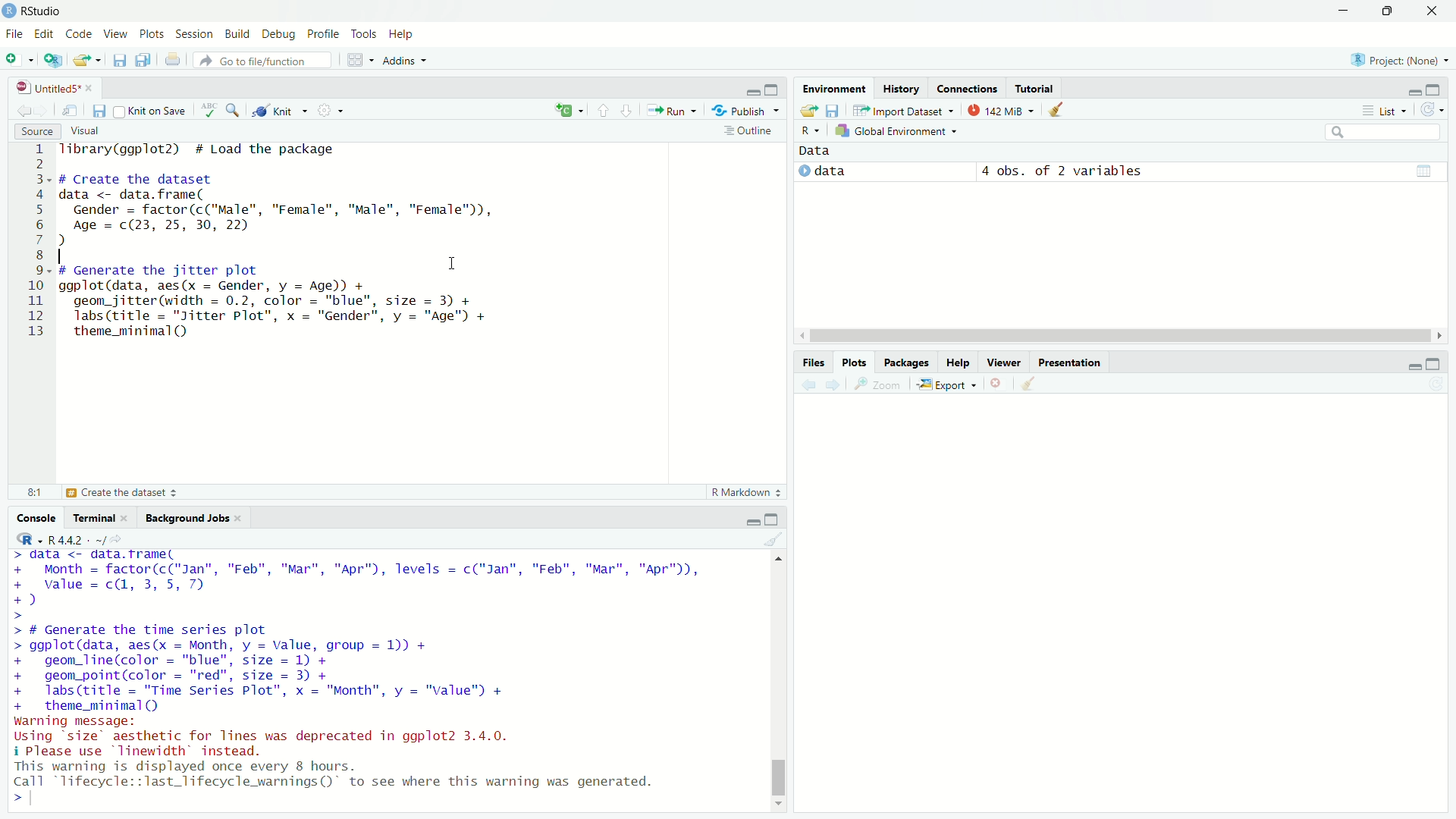 Image resolution: width=1456 pixels, height=819 pixels. What do you see at coordinates (1386, 111) in the screenshot?
I see `list` at bounding box center [1386, 111].